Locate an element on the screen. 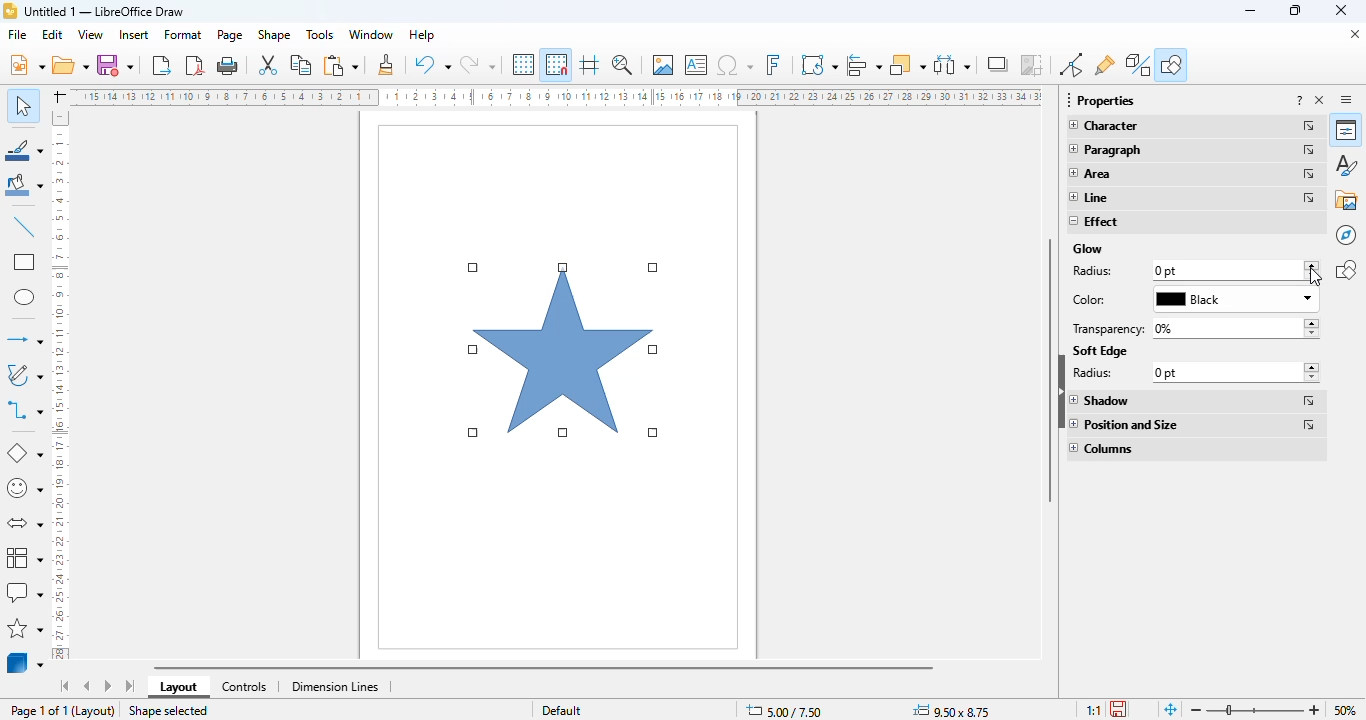  export directly as PDF is located at coordinates (196, 65).